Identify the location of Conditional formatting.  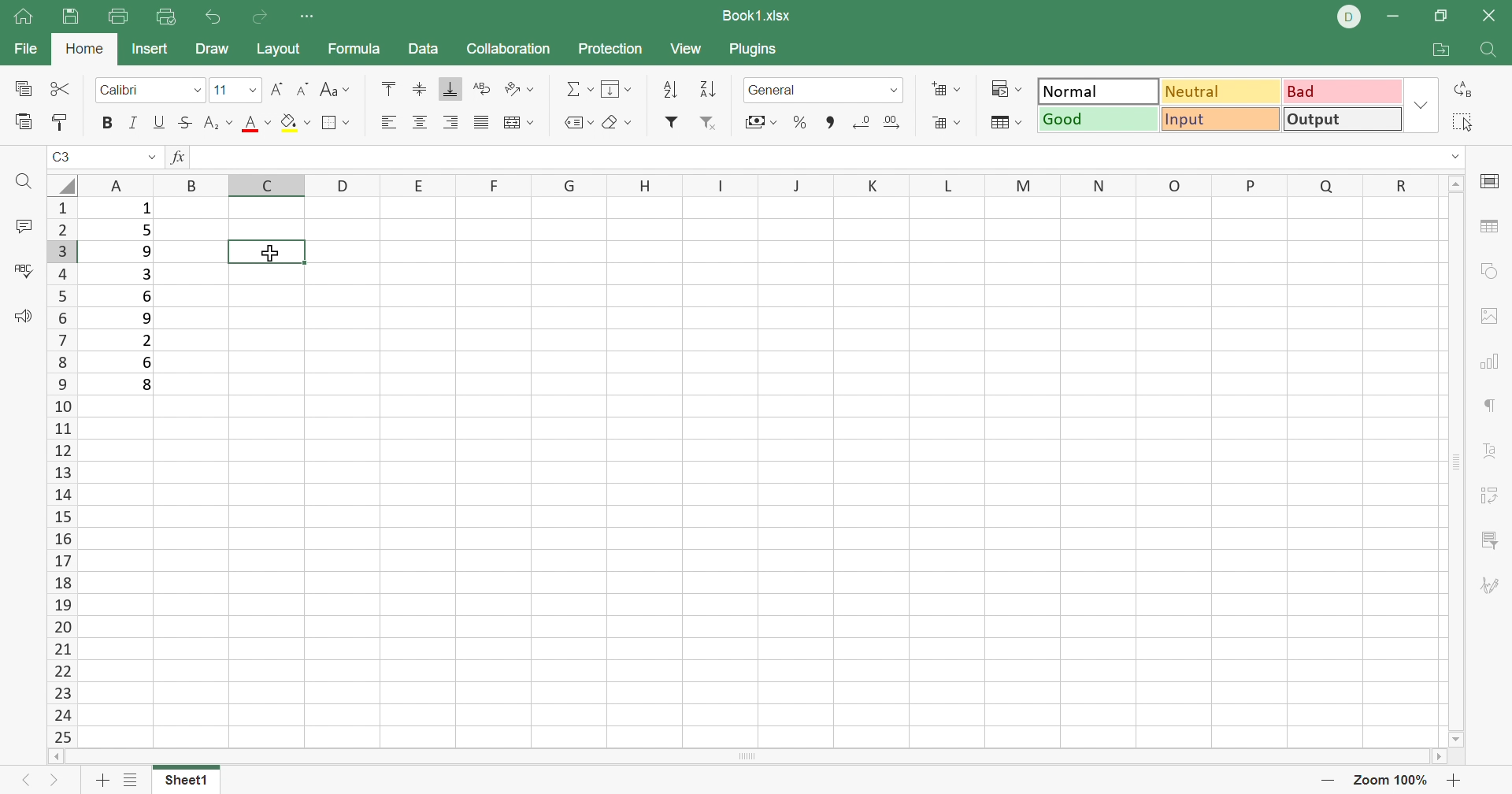
(1006, 88).